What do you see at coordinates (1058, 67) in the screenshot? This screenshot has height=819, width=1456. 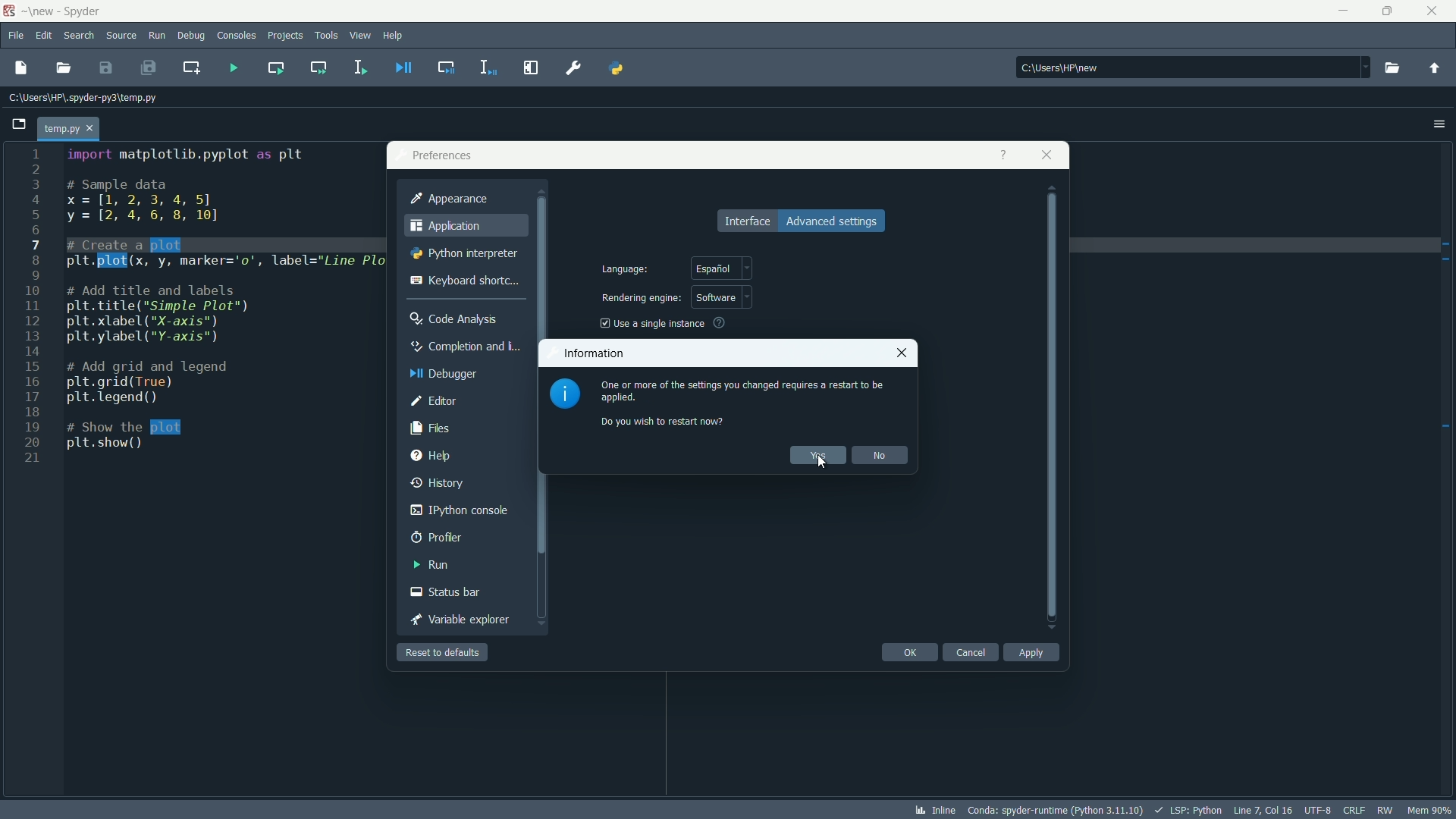 I see `C:\Users\HP\new` at bounding box center [1058, 67].